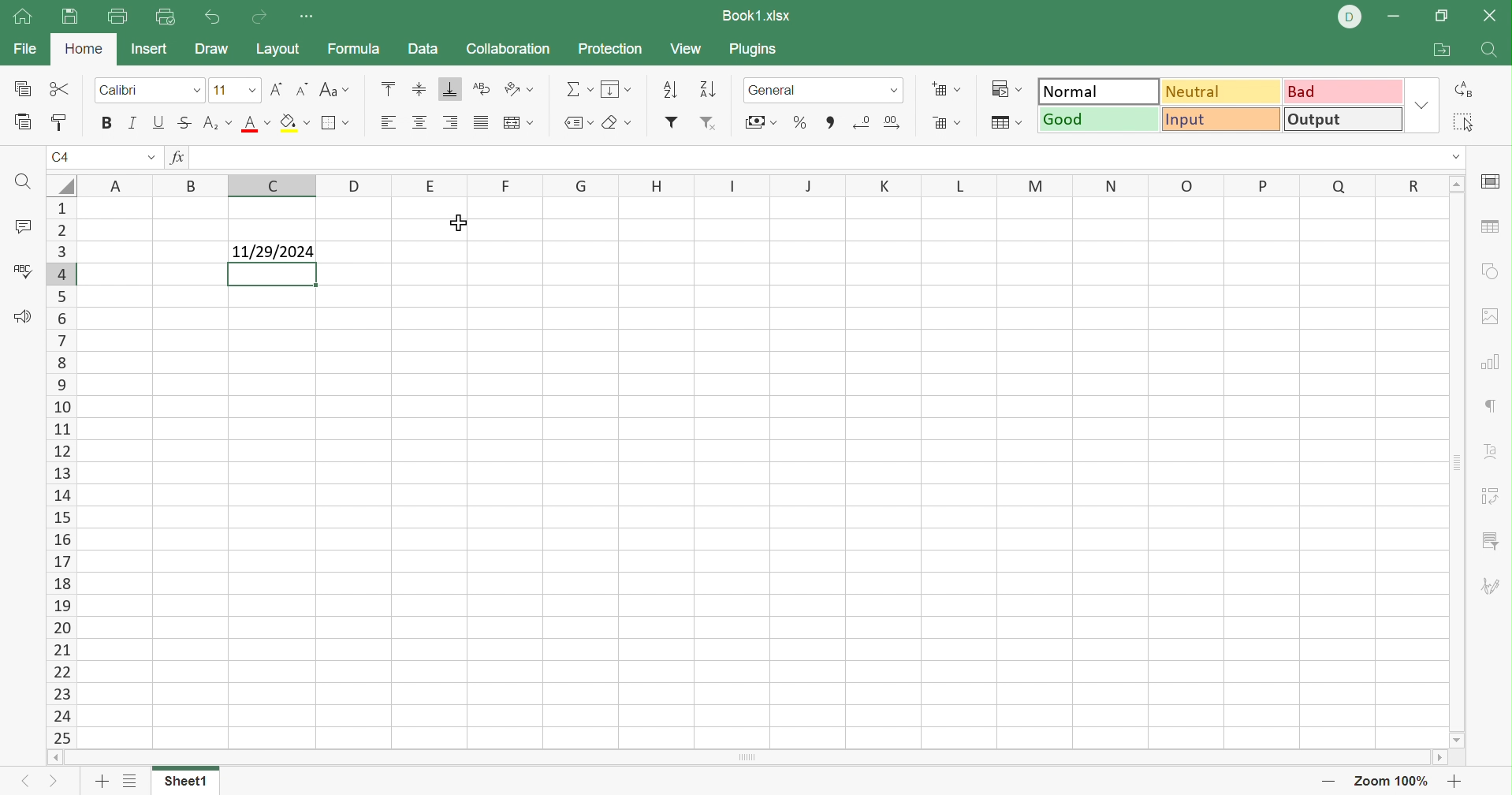 Image resolution: width=1512 pixels, height=795 pixels. What do you see at coordinates (54, 759) in the screenshot?
I see `Scroll Left` at bounding box center [54, 759].